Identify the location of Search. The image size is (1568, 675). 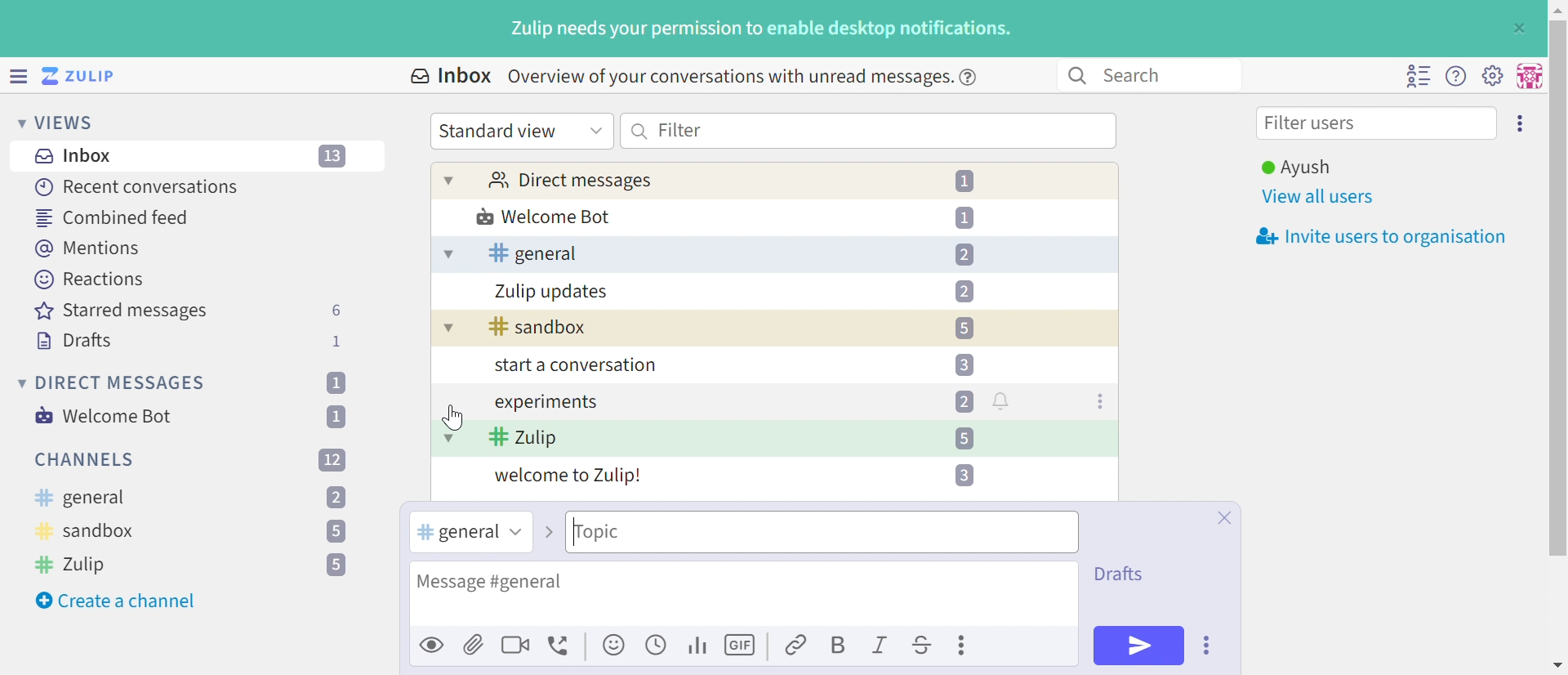
(1140, 74).